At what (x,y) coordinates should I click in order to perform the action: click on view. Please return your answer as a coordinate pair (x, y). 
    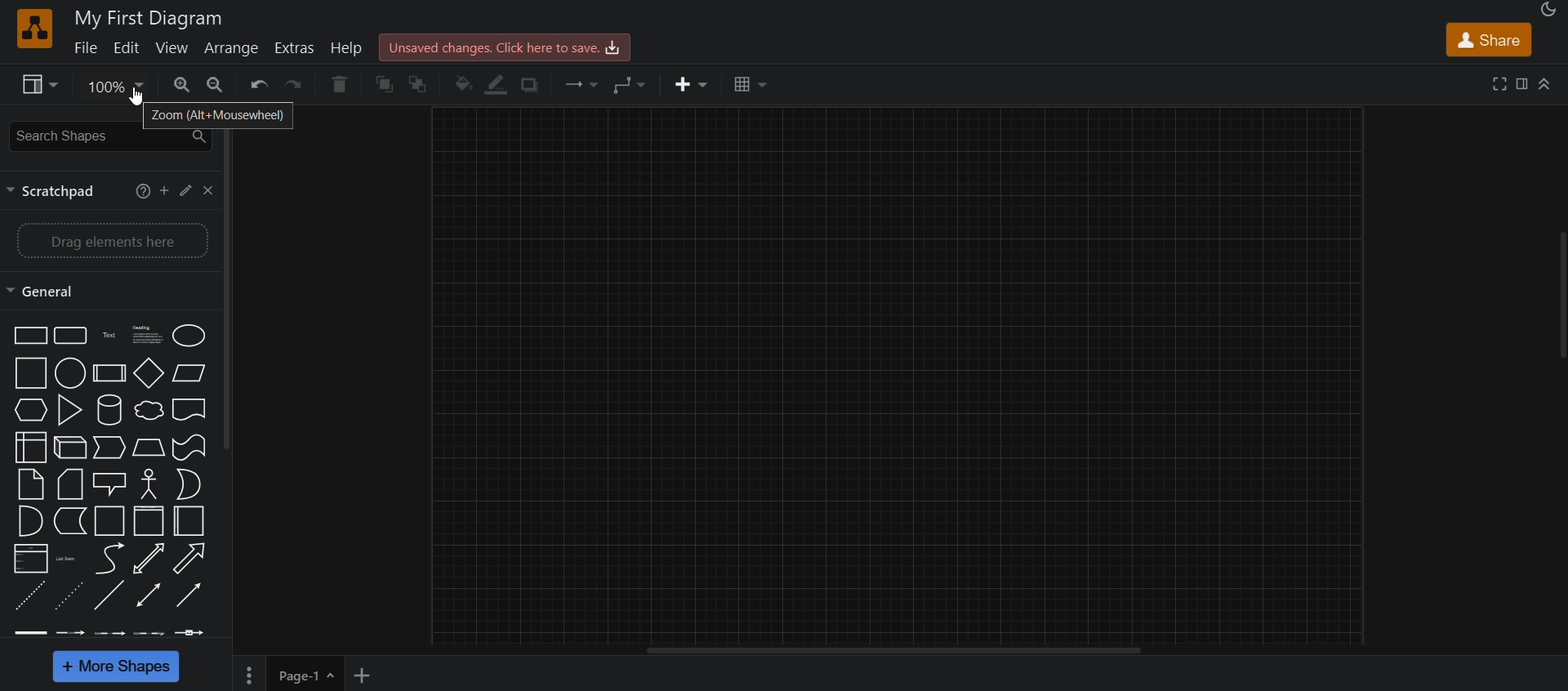
    Looking at the image, I should click on (42, 86).